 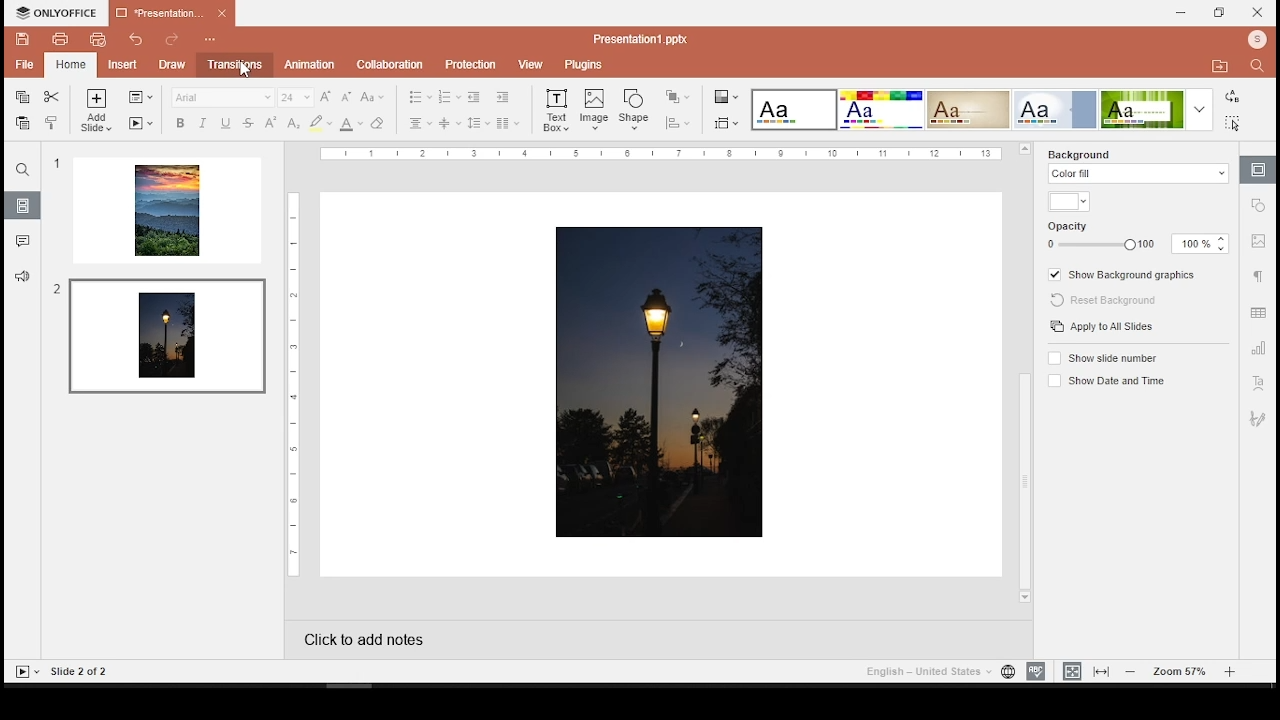 What do you see at coordinates (246, 70) in the screenshot?
I see `cursor` at bounding box center [246, 70].